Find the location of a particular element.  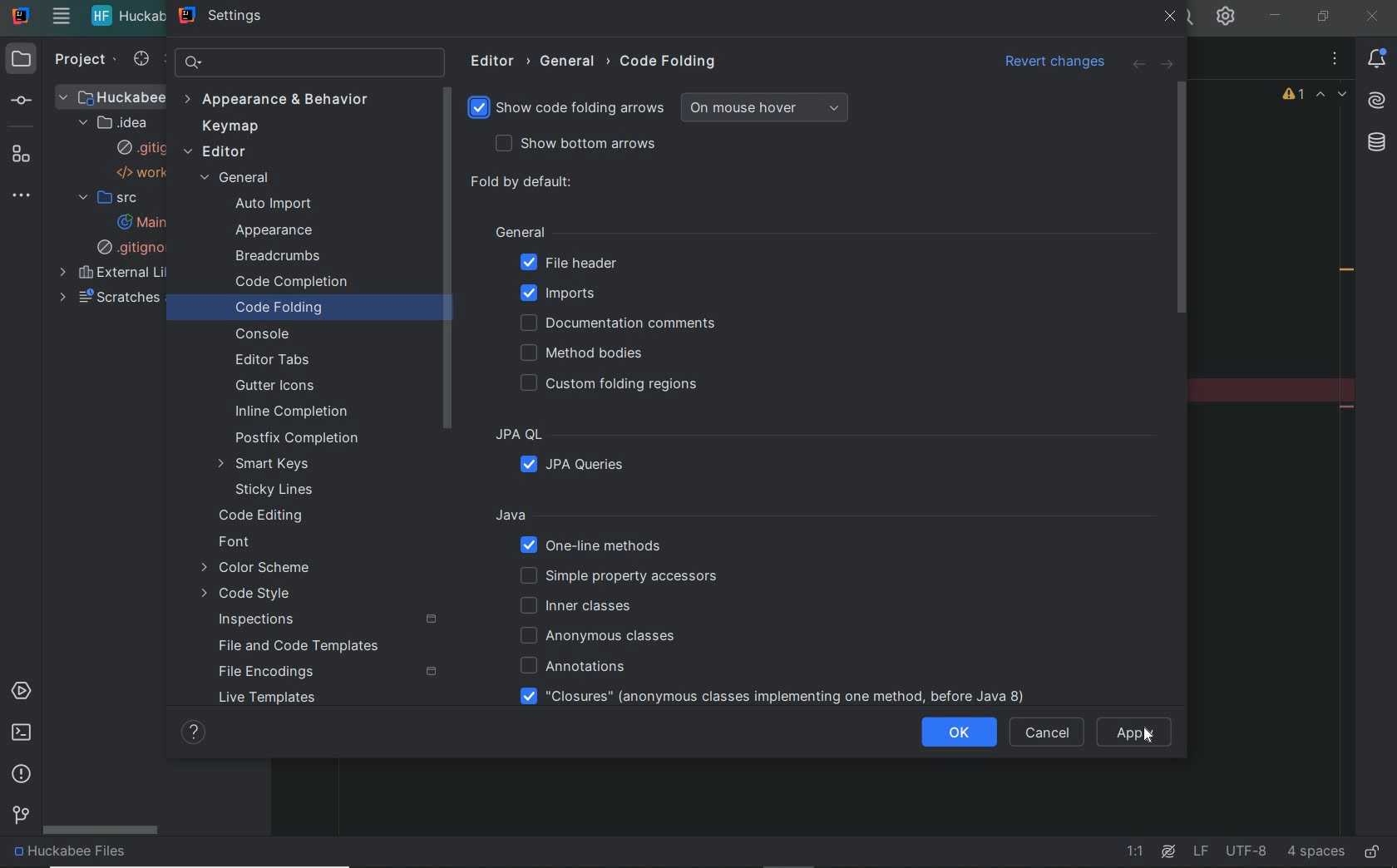

forward is located at coordinates (1171, 63).